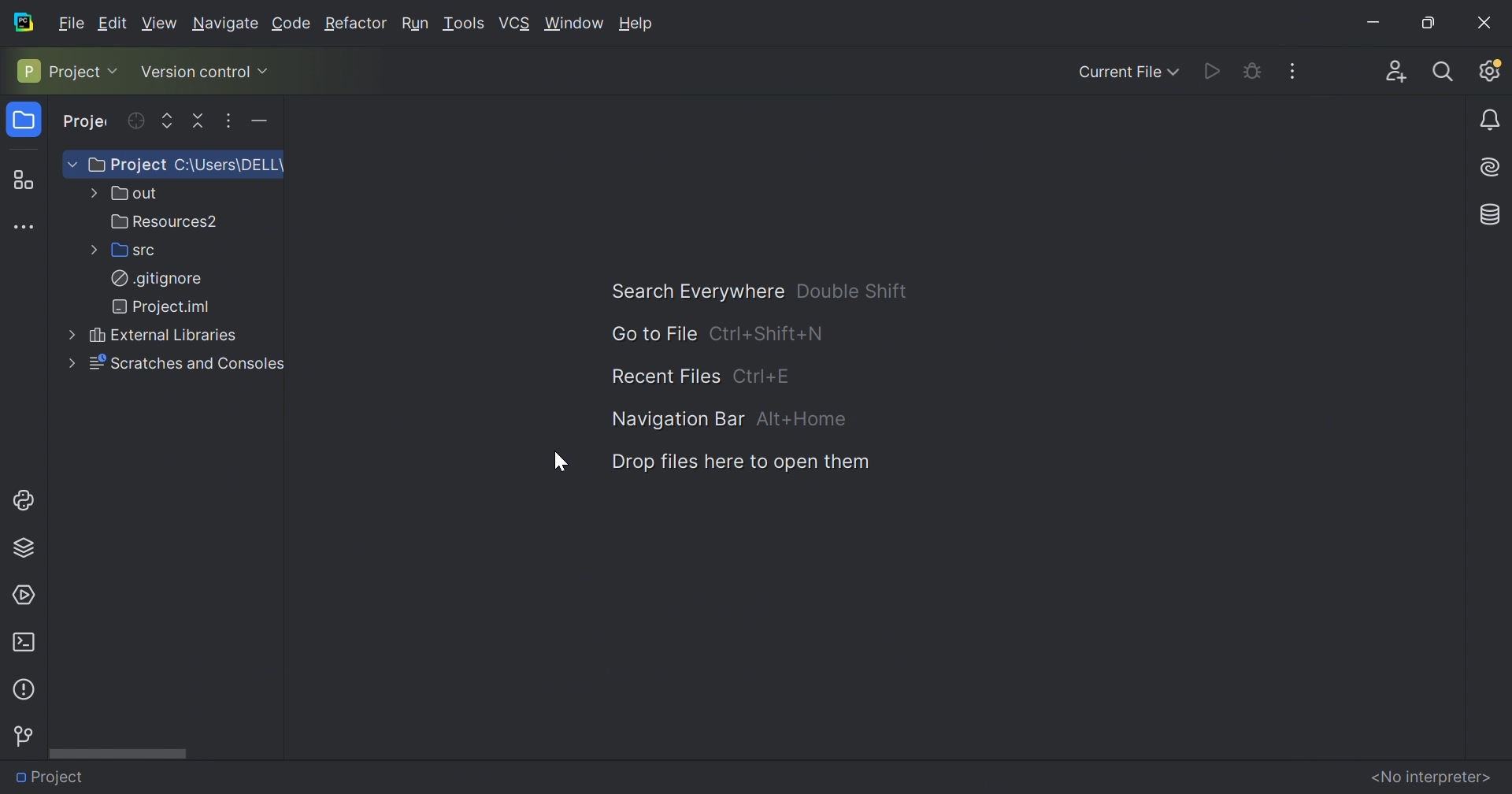  Describe the element at coordinates (849, 288) in the screenshot. I see `Double Shift` at that location.